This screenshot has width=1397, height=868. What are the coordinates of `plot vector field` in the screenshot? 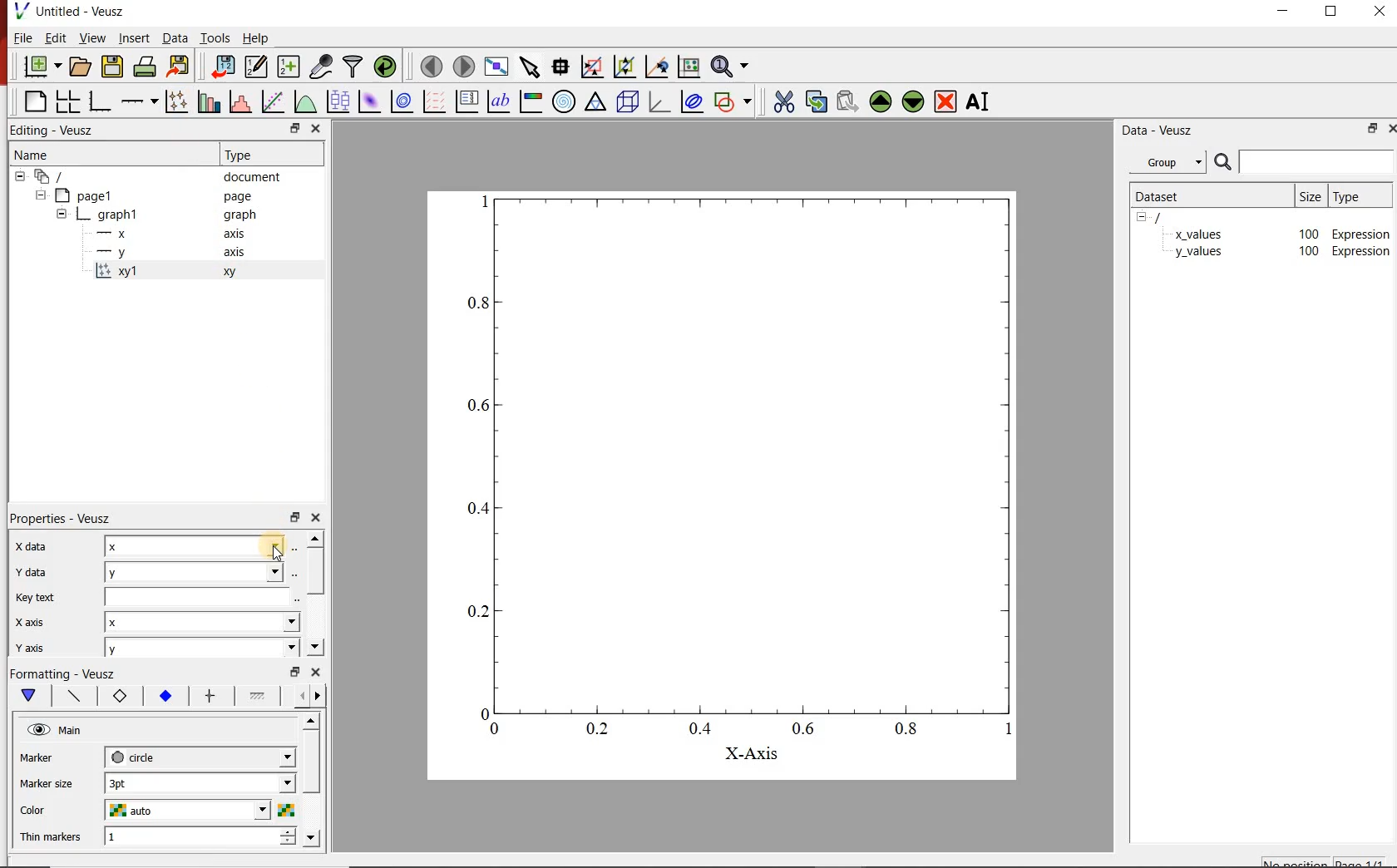 It's located at (434, 101).